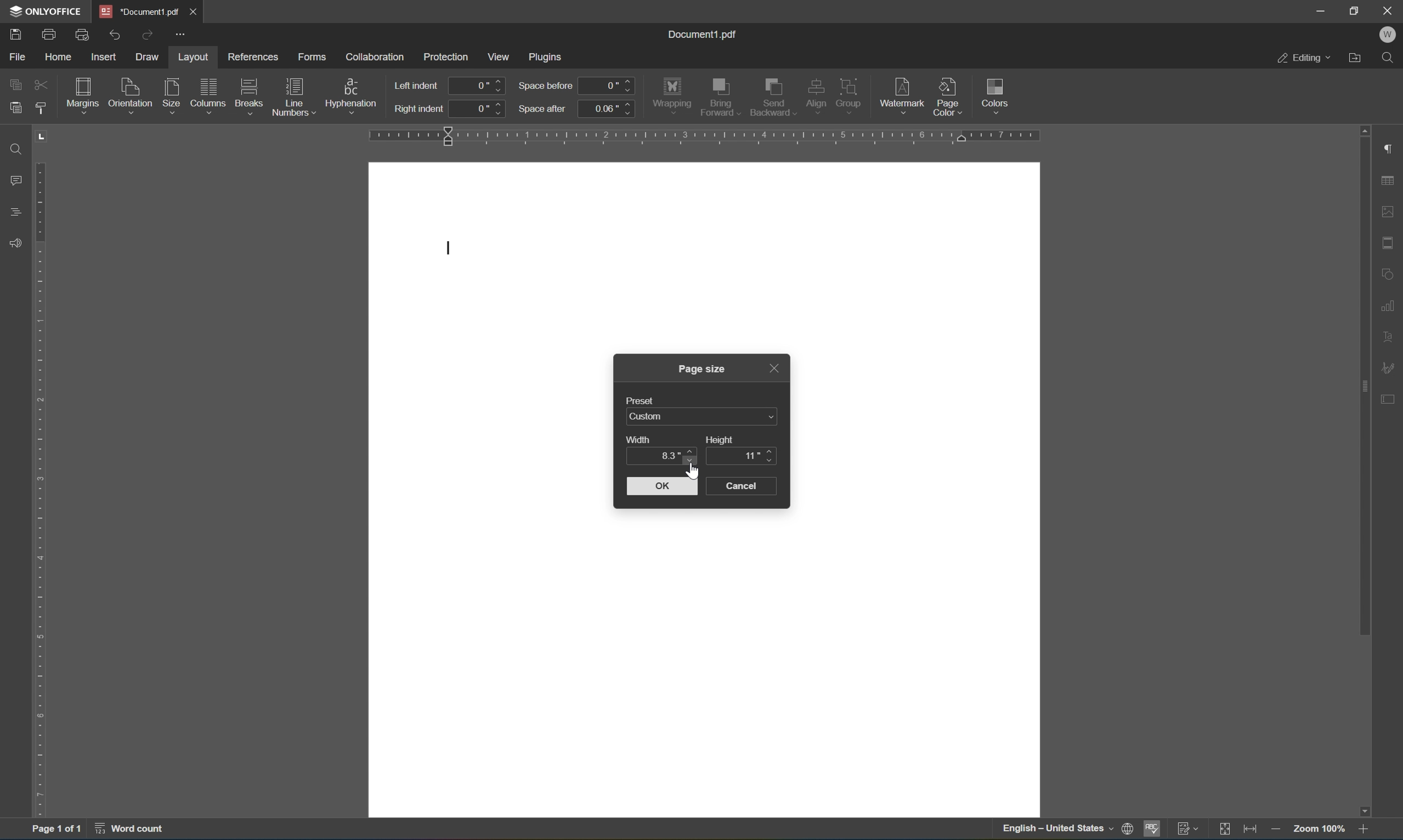 The width and height of the screenshot is (1403, 840). Describe the element at coordinates (607, 108) in the screenshot. I see `0.06` at that location.